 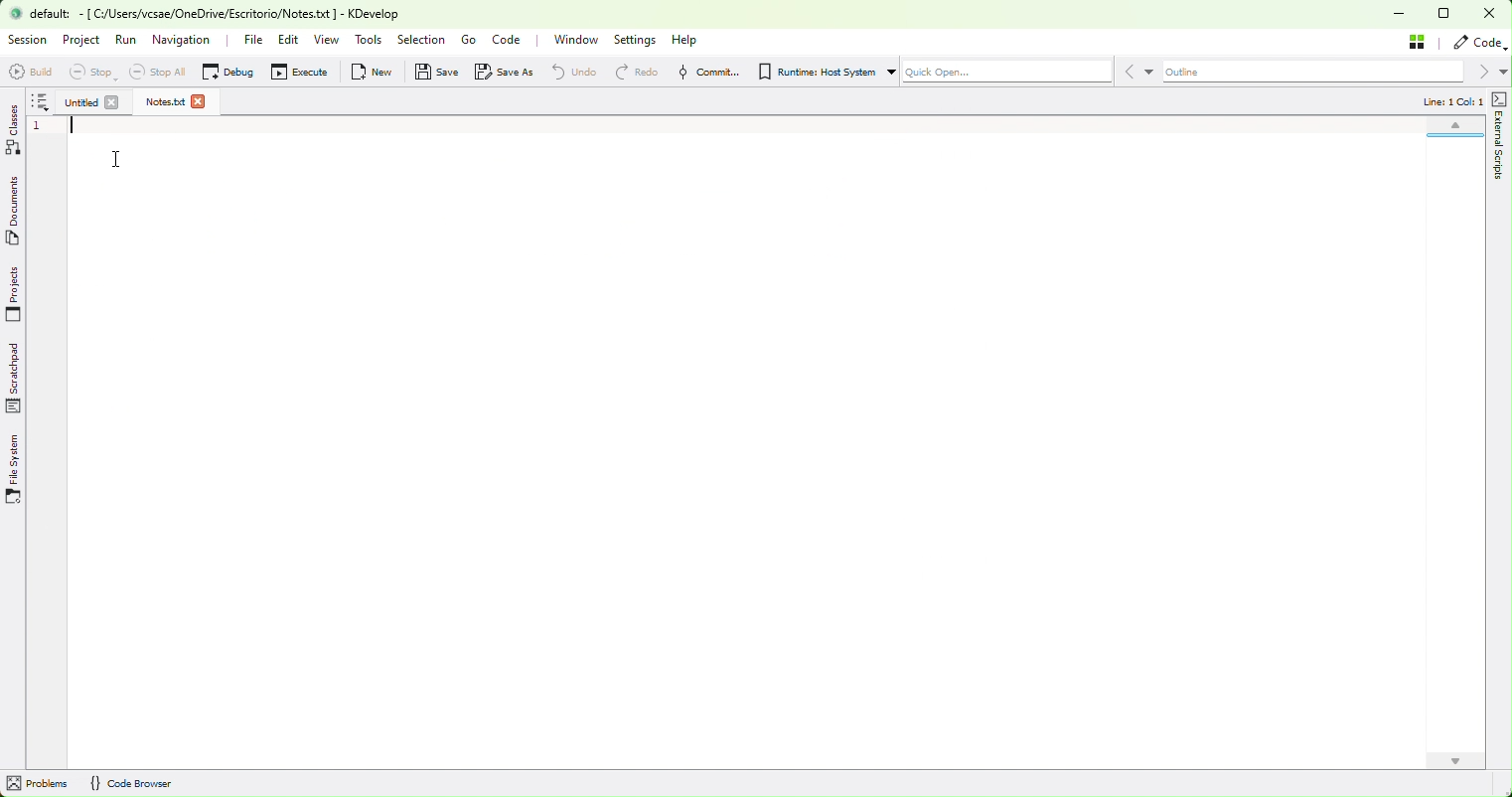 What do you see at coordinates (73, 127) in the screenshot?
I see `blinking cursor` at bounding box center [73, 127].